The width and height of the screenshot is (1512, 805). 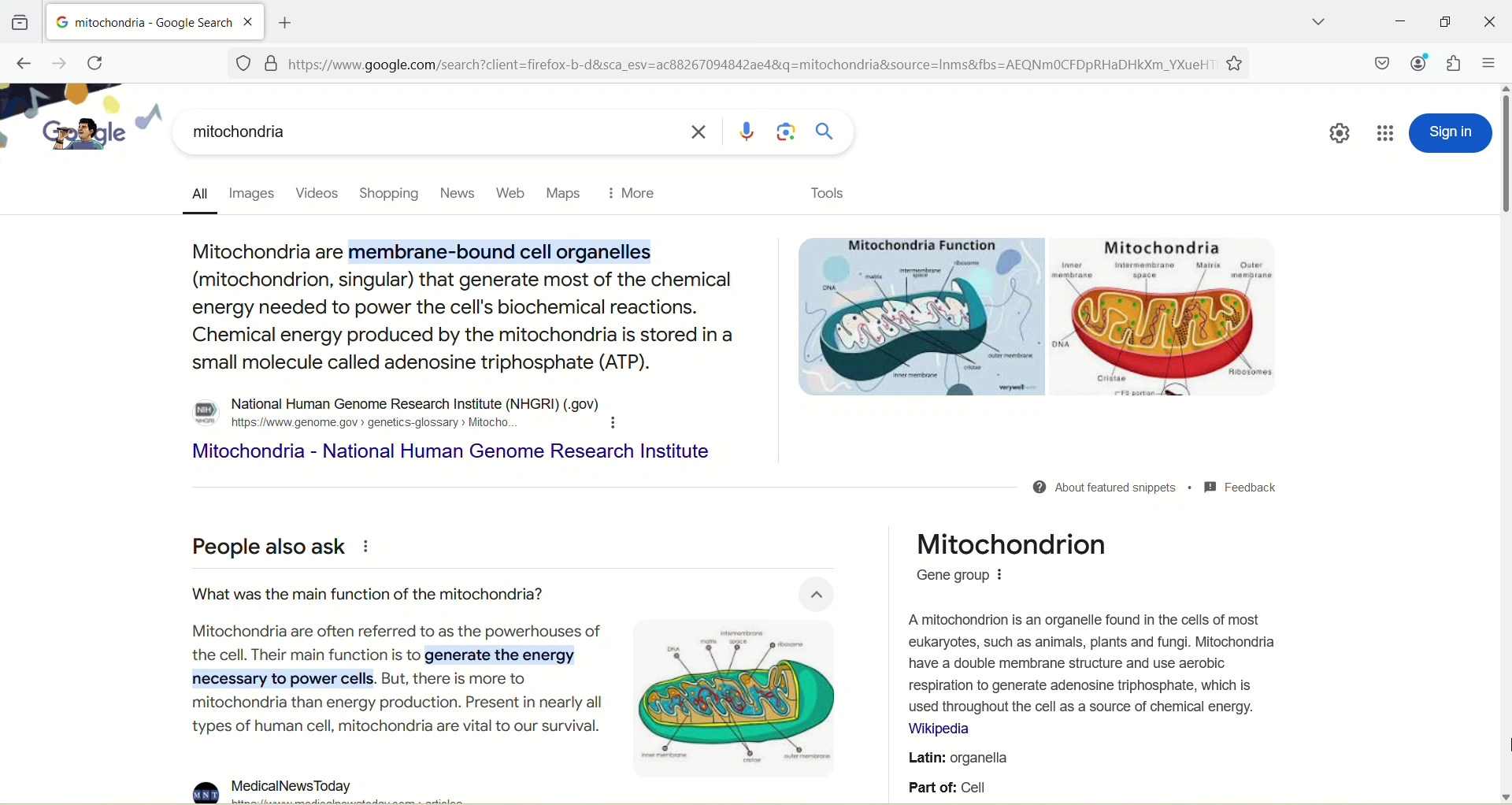 What do you see at coordinates (1010, 541) in the screenshot?
I see `Mitochondrion` at bounding box center [1010, 541].